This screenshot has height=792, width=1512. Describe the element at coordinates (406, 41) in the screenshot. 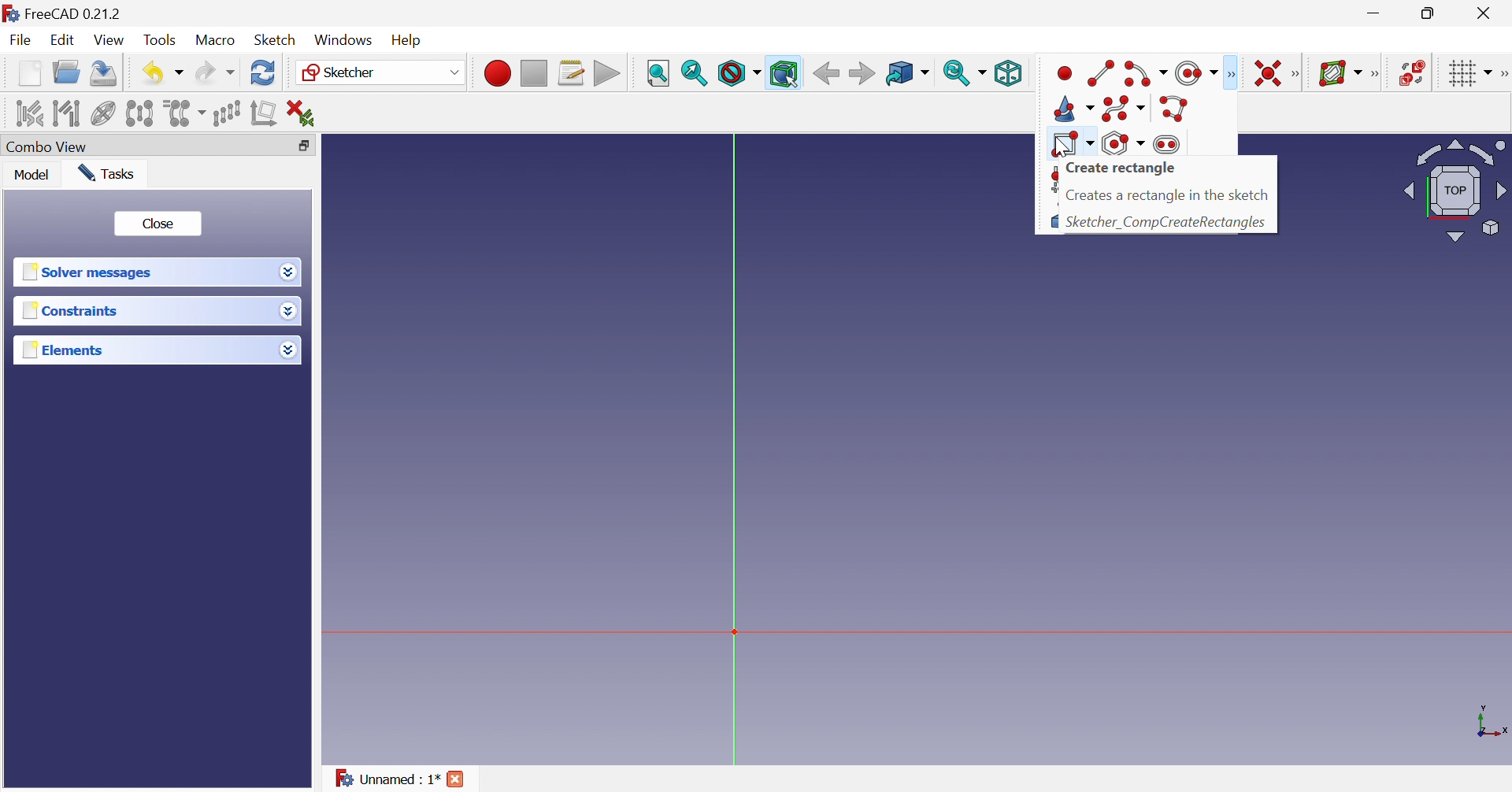

I see `` at that location.